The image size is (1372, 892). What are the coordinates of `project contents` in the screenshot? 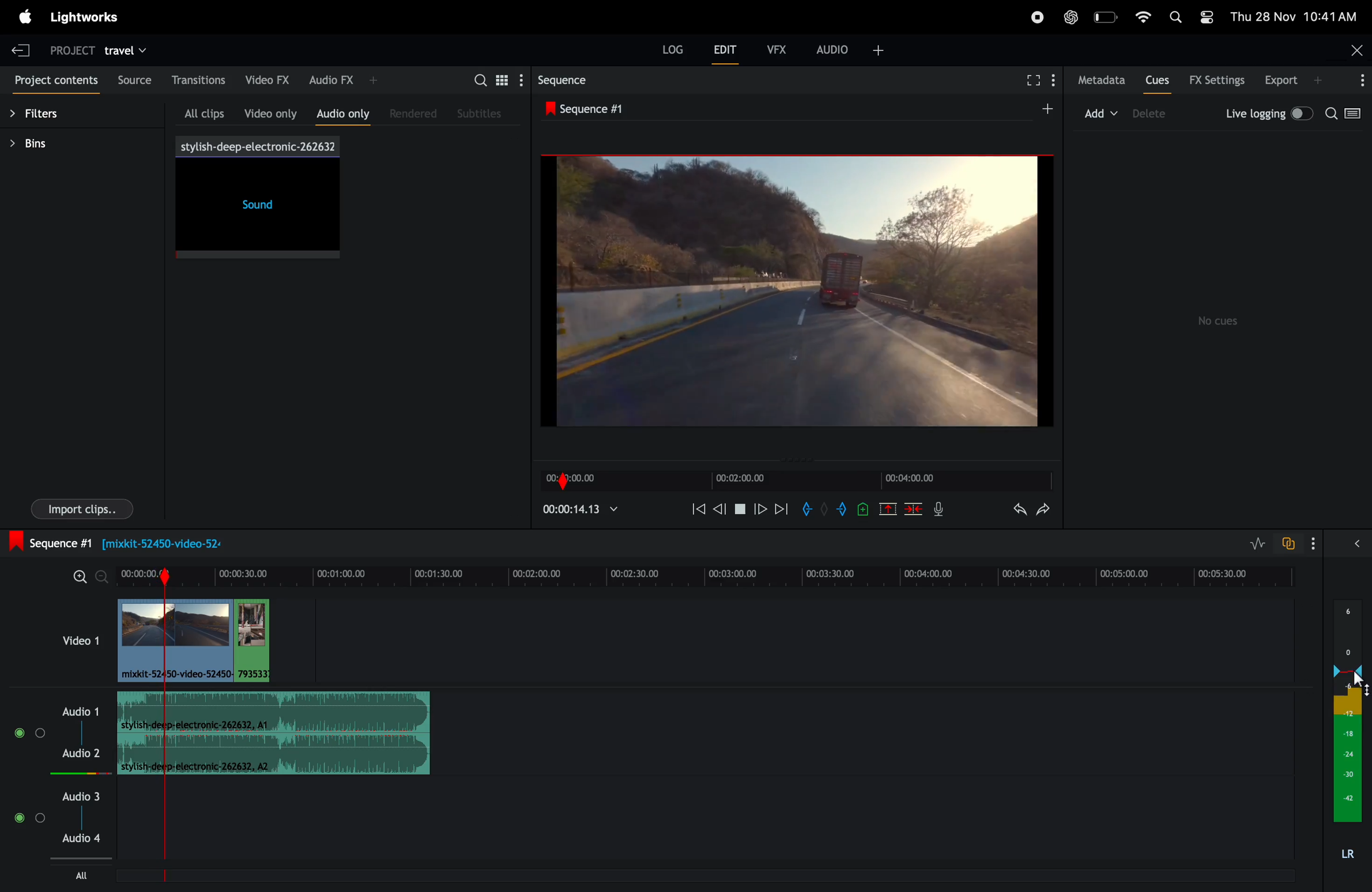 It's located at (54, 77).